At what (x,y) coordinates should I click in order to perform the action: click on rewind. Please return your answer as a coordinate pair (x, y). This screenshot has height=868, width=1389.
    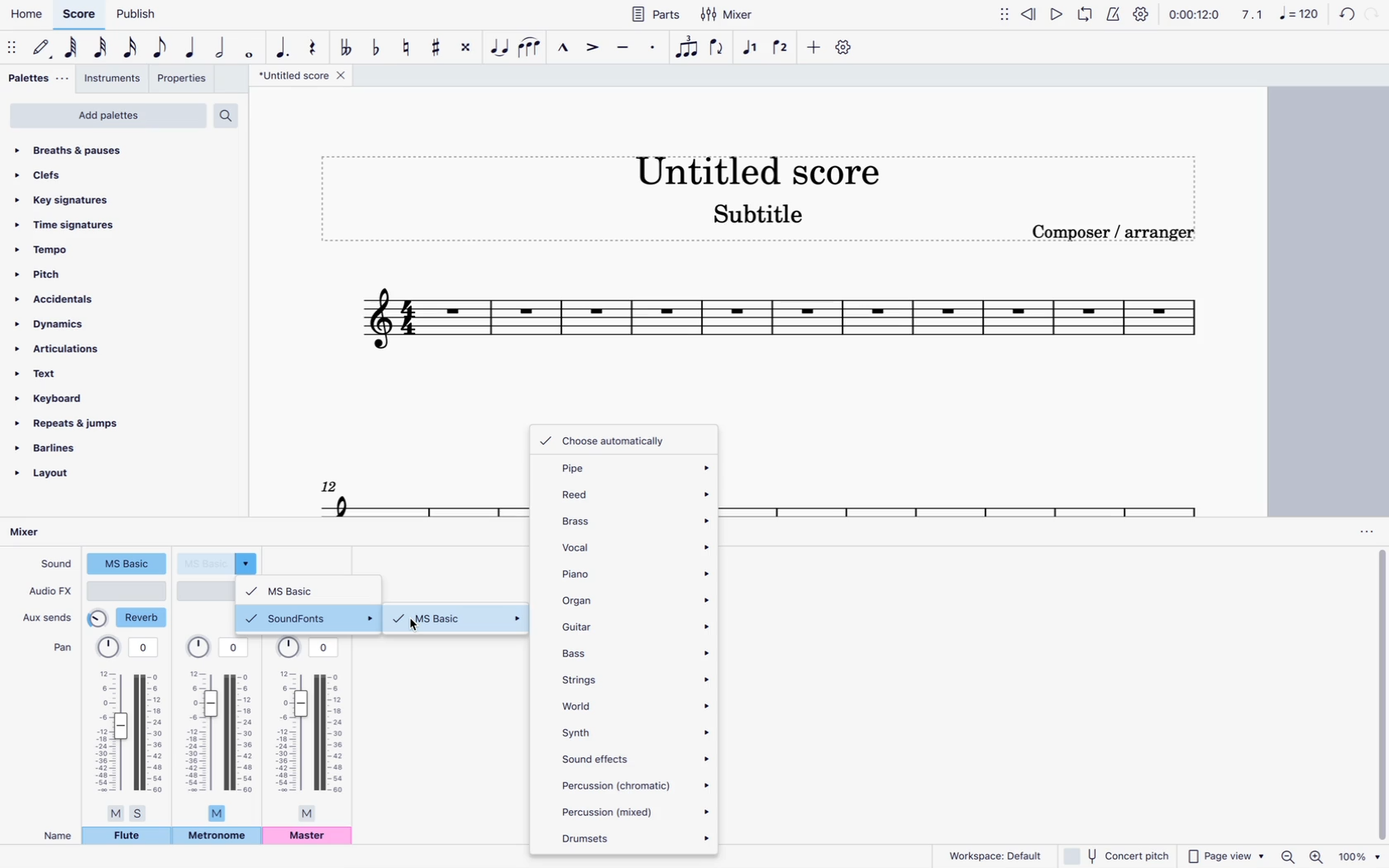
    Looking at the image, I should click on (1029, 17).